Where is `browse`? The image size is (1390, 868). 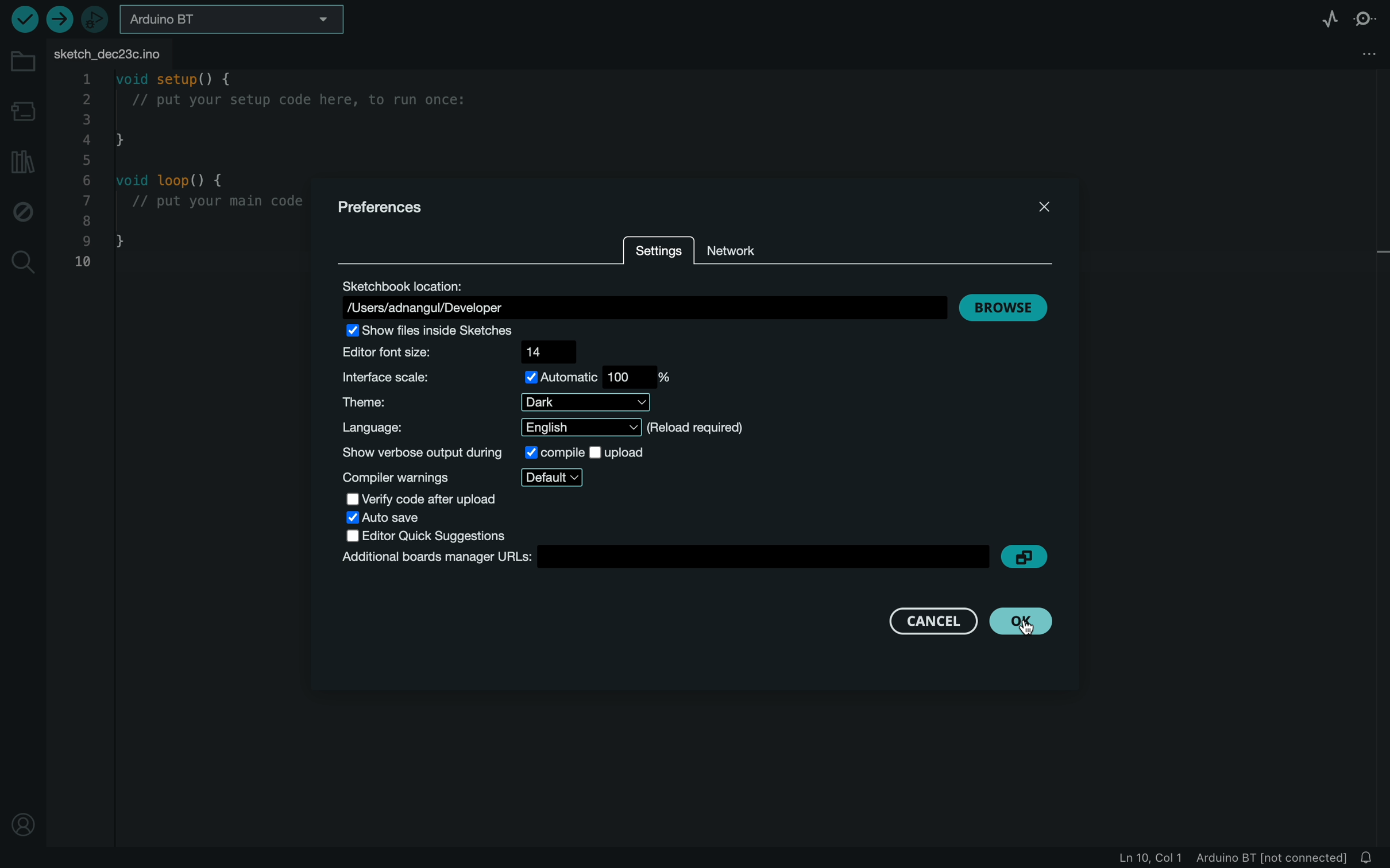
browse is located at coordinates (1007, 308).